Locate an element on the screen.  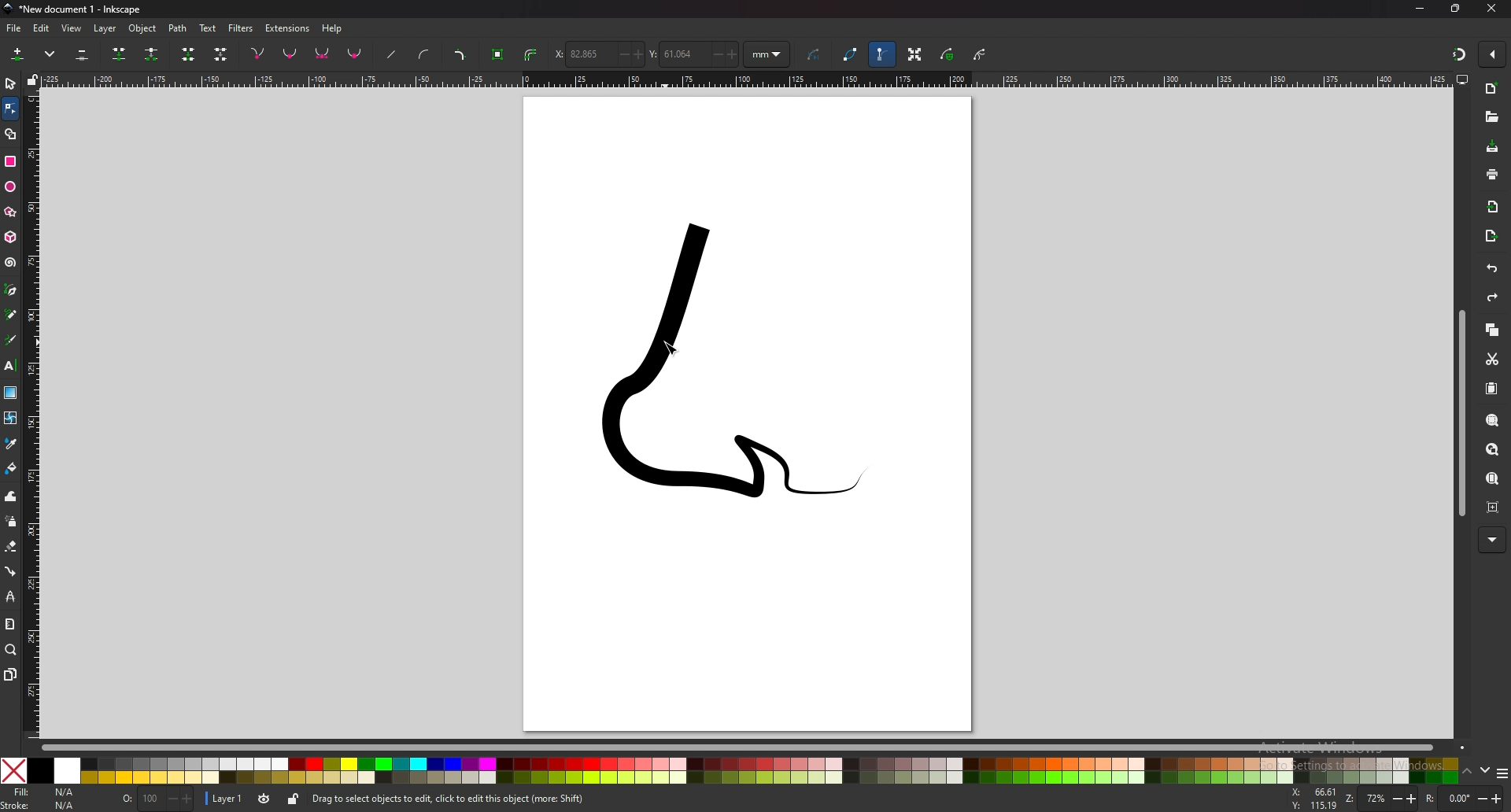
import is located at coordinates (1493, 206).